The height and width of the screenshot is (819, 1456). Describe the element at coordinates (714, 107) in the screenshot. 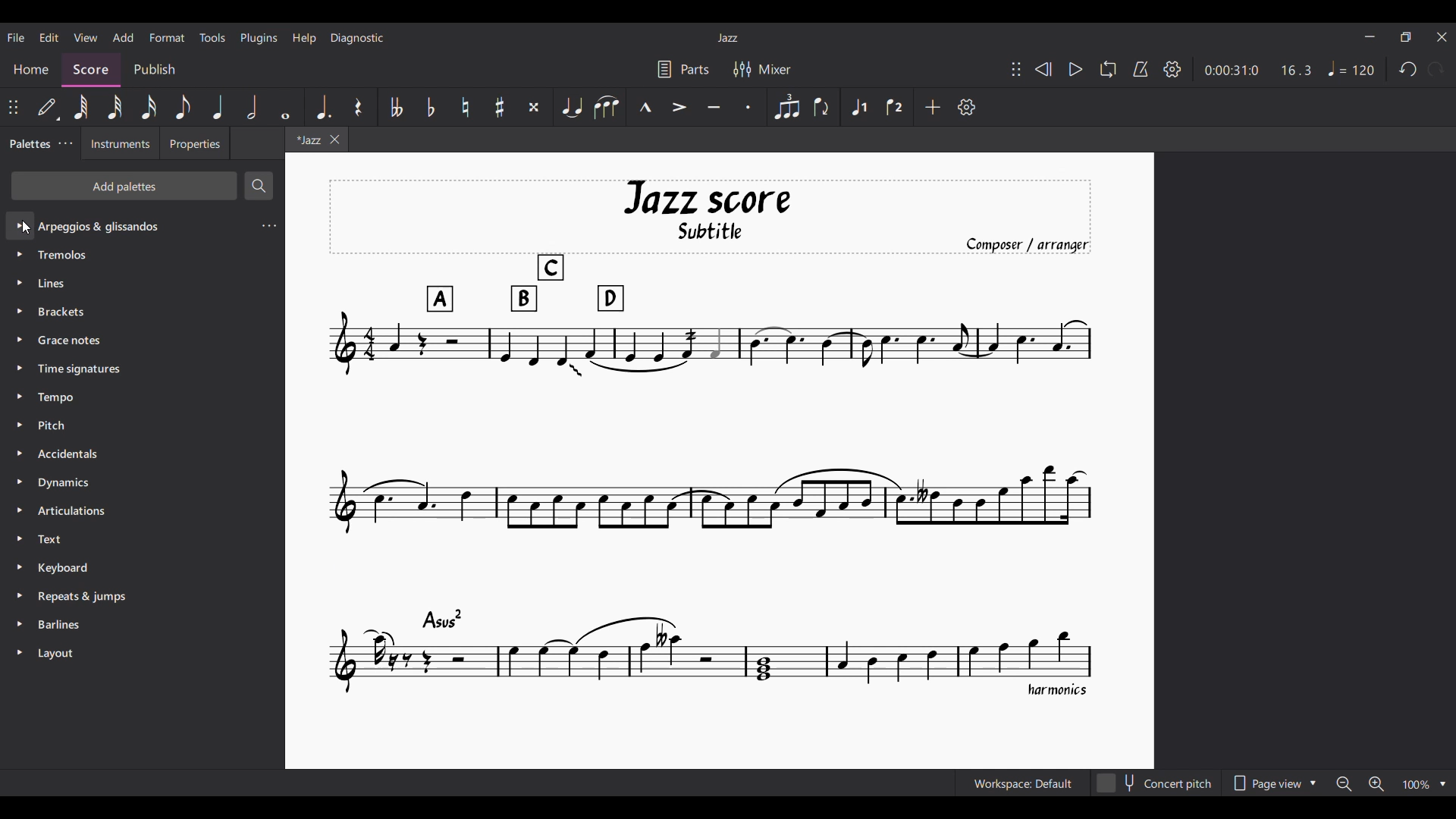

I see `Tenuto` at that location.